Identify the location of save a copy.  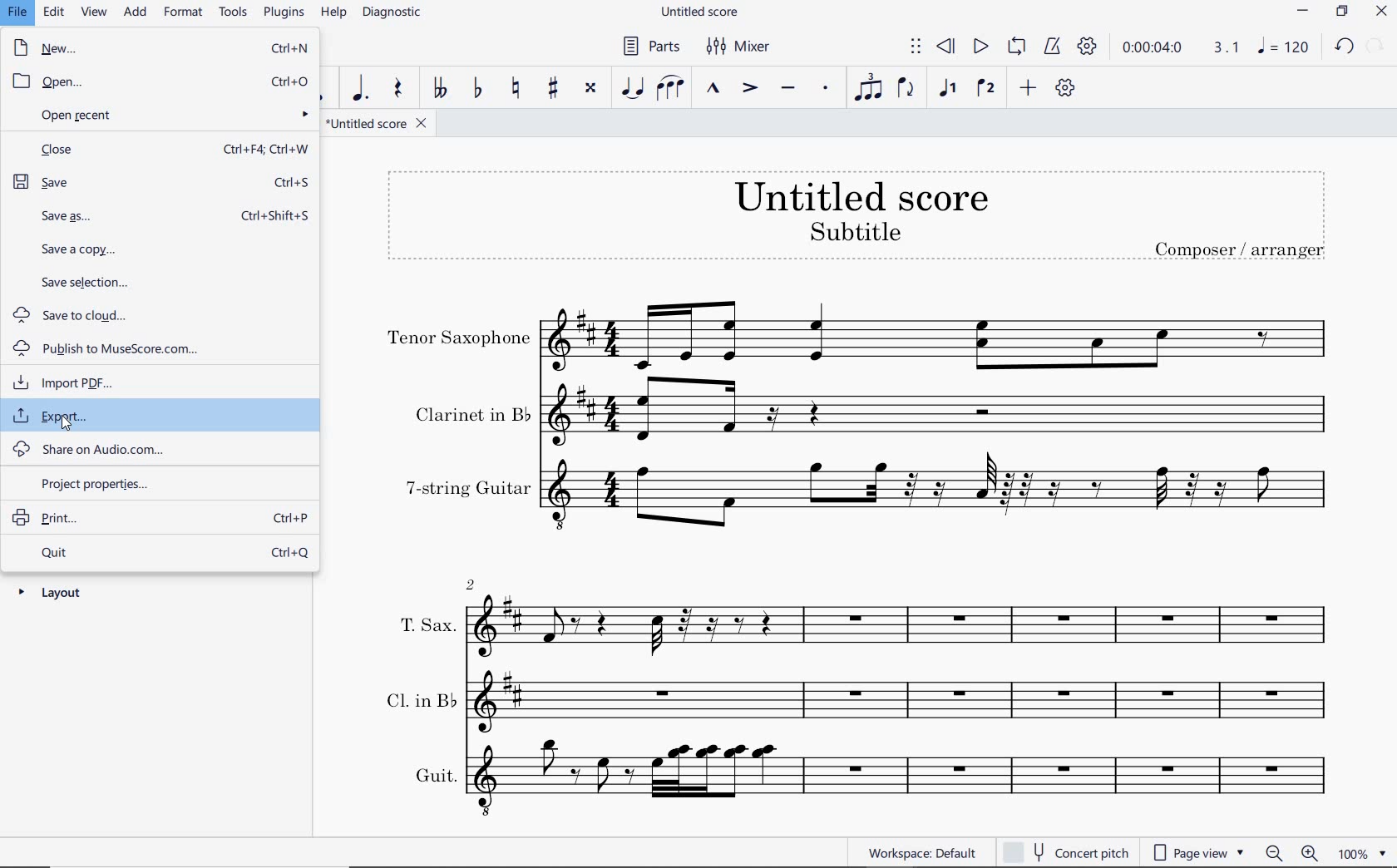
(160, 248).